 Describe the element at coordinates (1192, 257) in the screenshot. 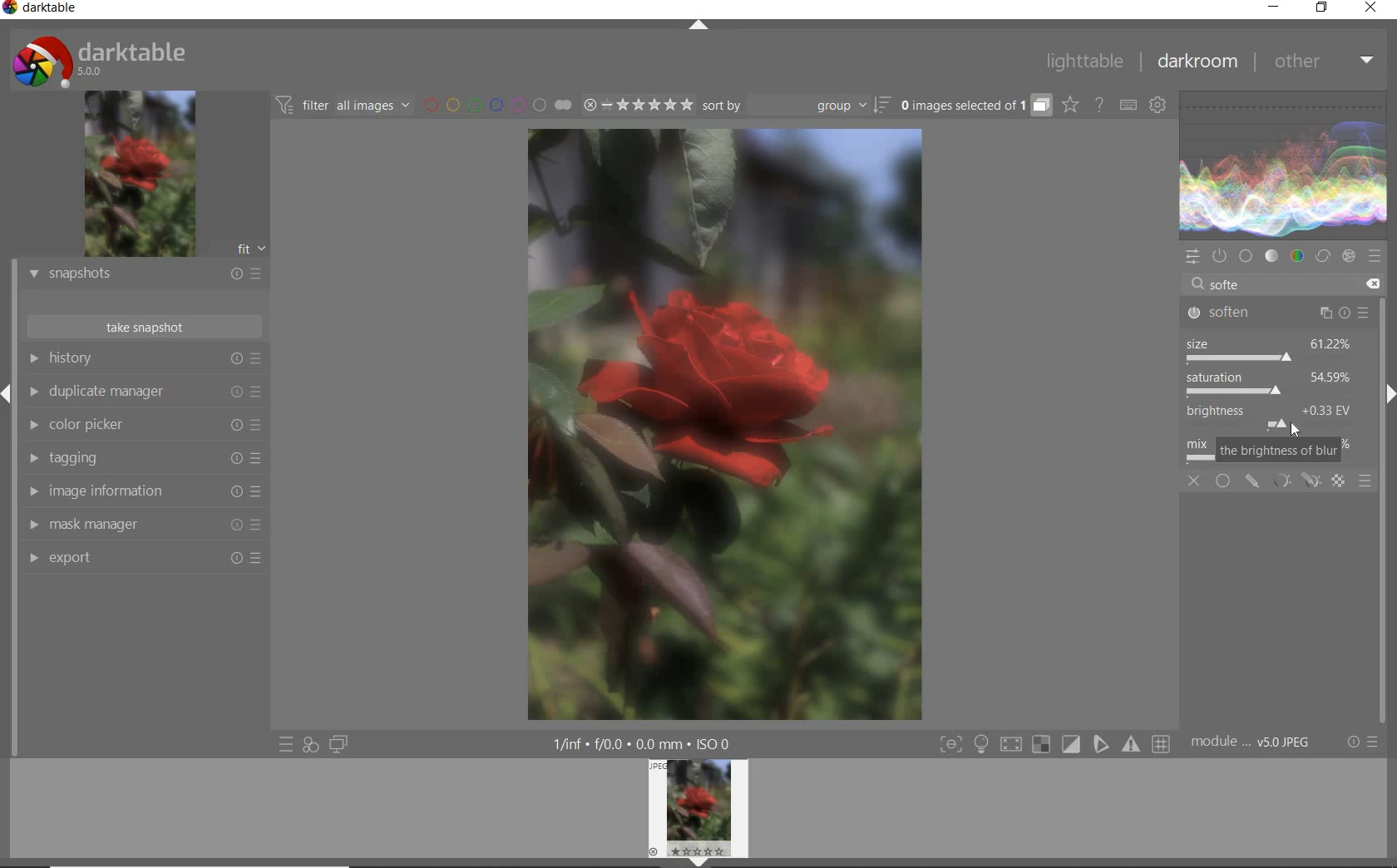

I see `quick access panel` at that location.